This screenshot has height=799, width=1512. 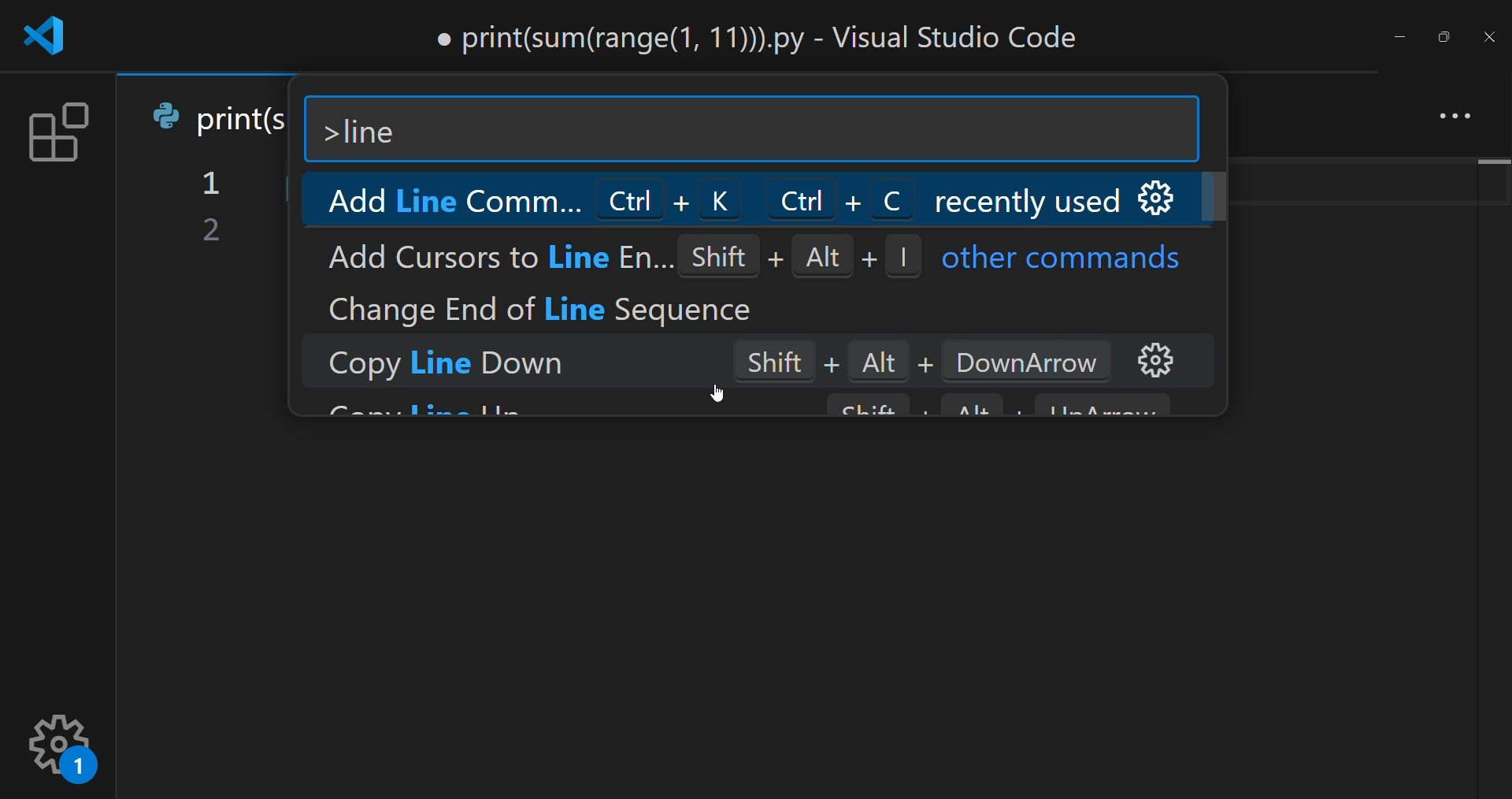 I want to click on print(s, so click(x=222, y=115).